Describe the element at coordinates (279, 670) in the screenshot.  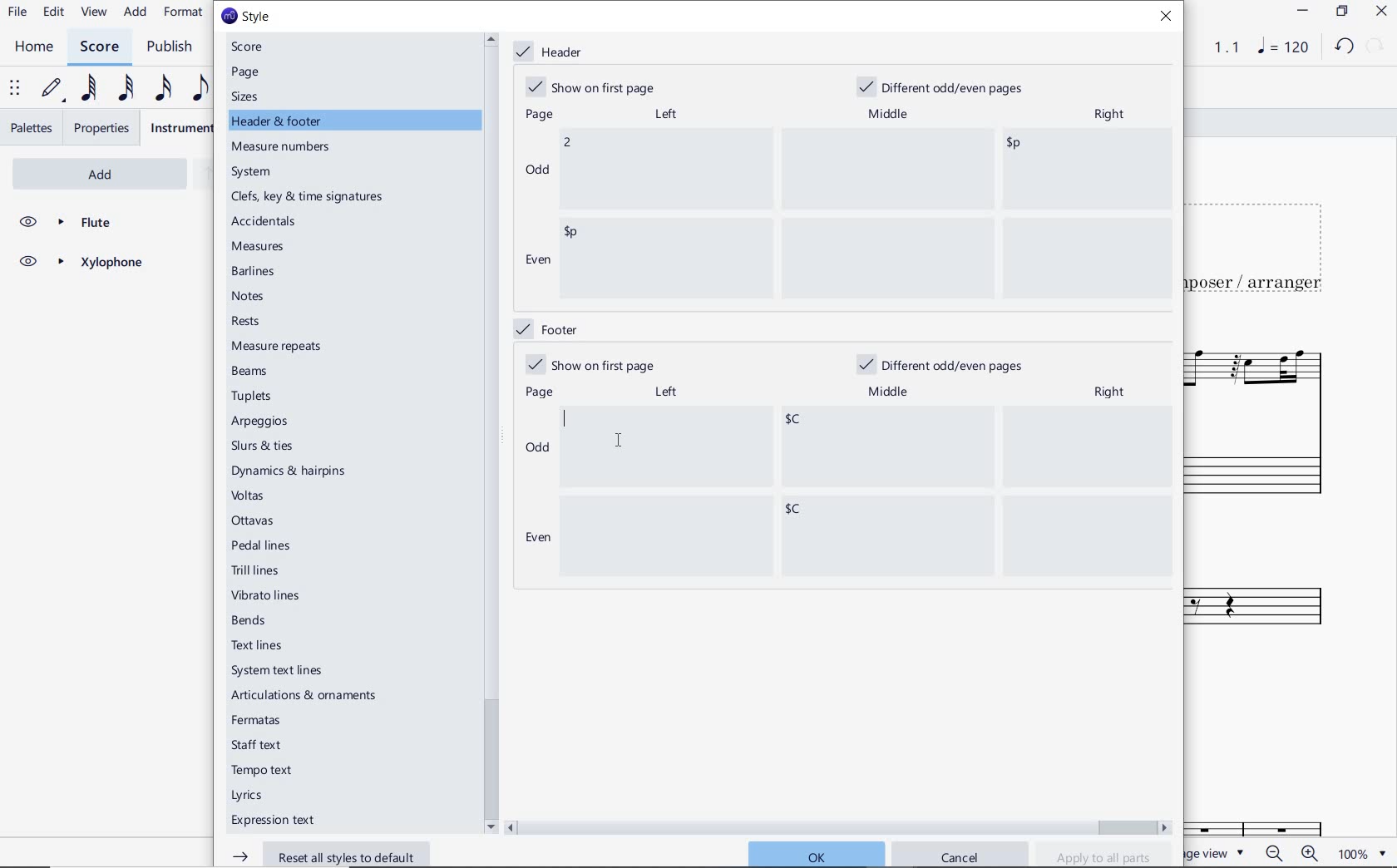
I see `system text lines` at that location.